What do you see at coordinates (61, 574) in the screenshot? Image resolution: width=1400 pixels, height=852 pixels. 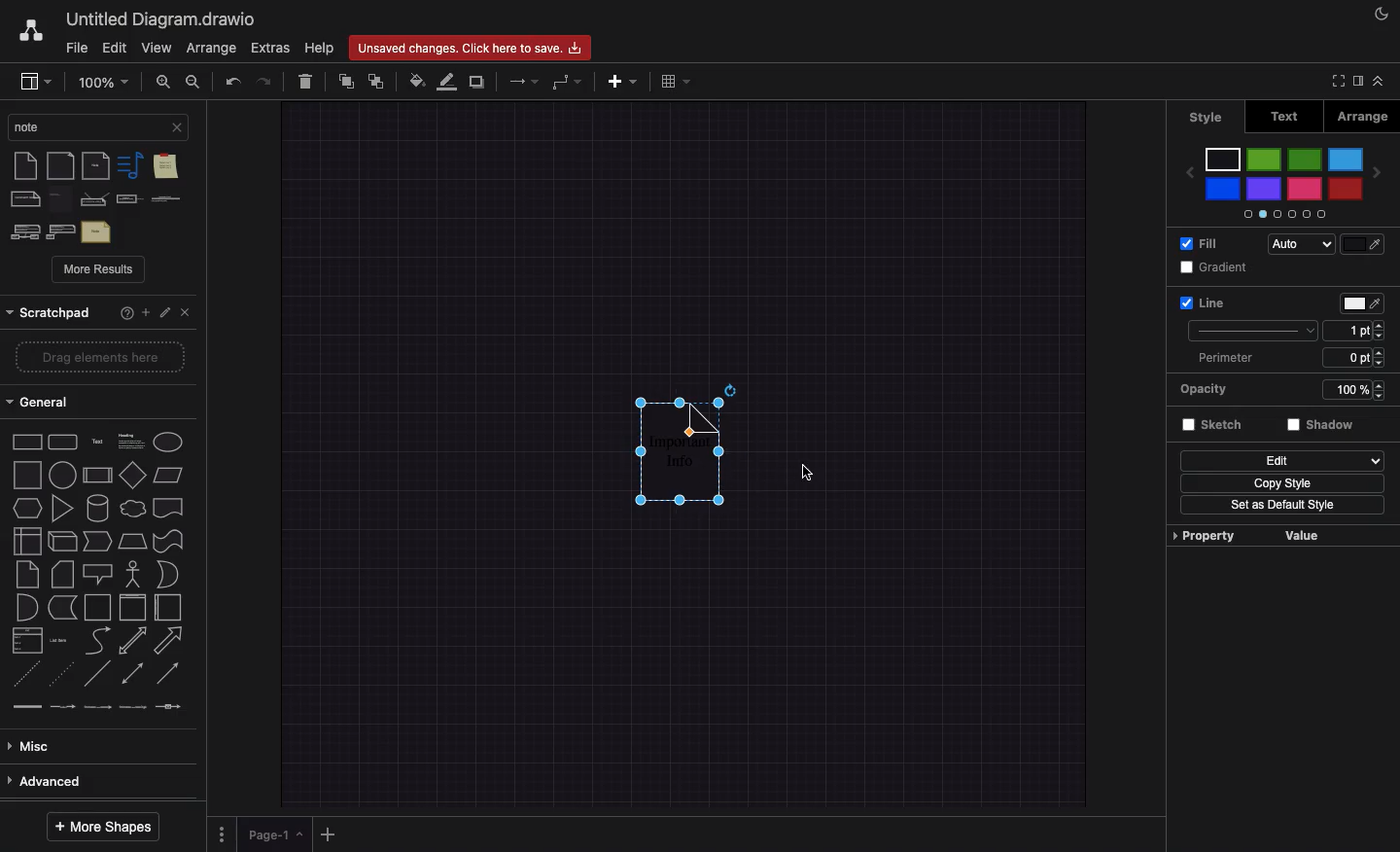 I see `card` at bounding box center [61, 574].